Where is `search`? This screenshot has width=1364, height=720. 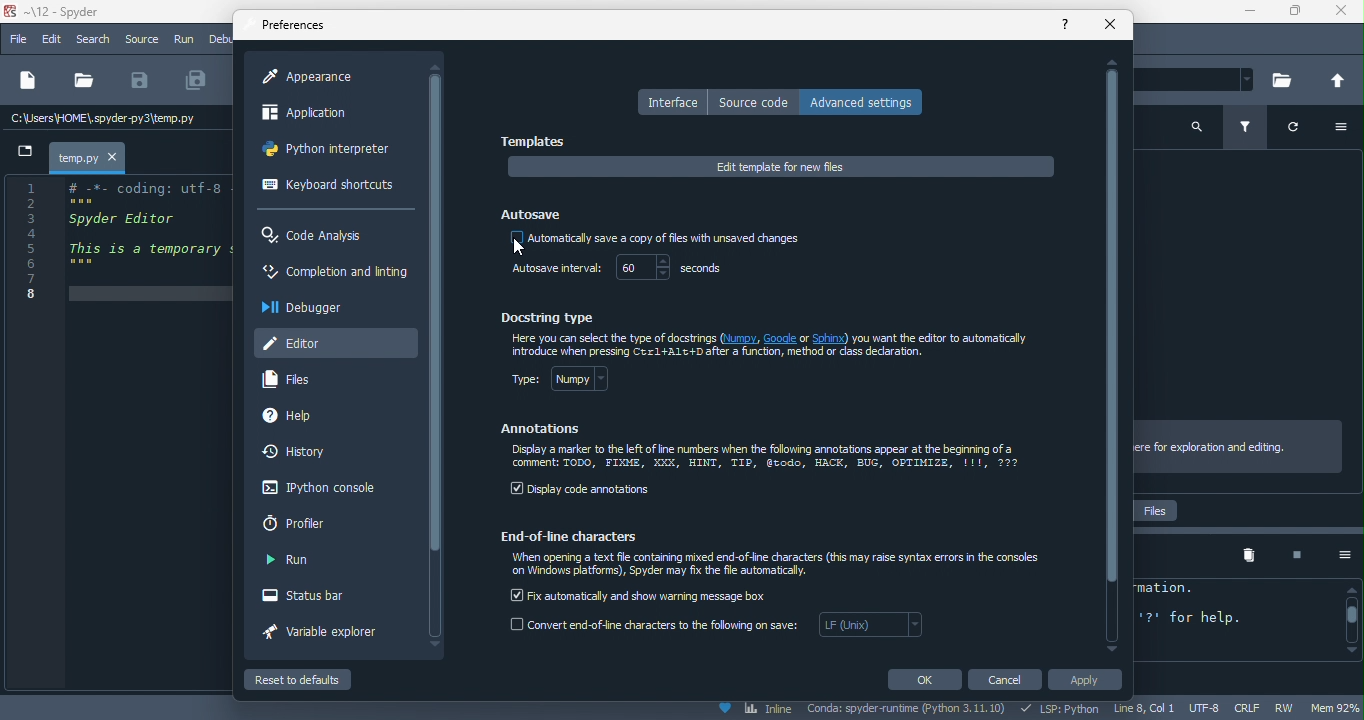
search is located at coordinates (1197, 125).